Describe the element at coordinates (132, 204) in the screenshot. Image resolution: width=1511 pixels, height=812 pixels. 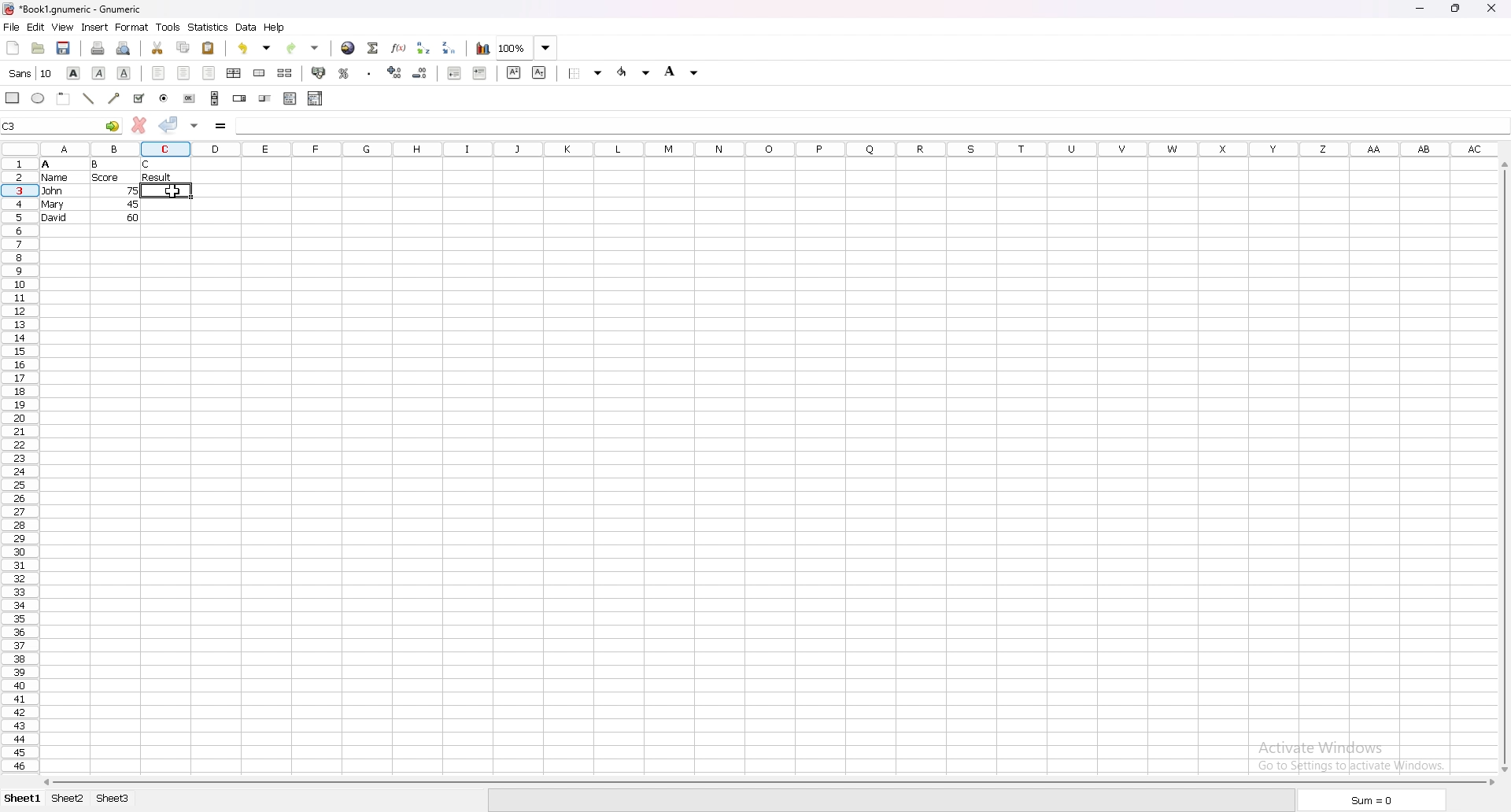
I see `45` at that location.